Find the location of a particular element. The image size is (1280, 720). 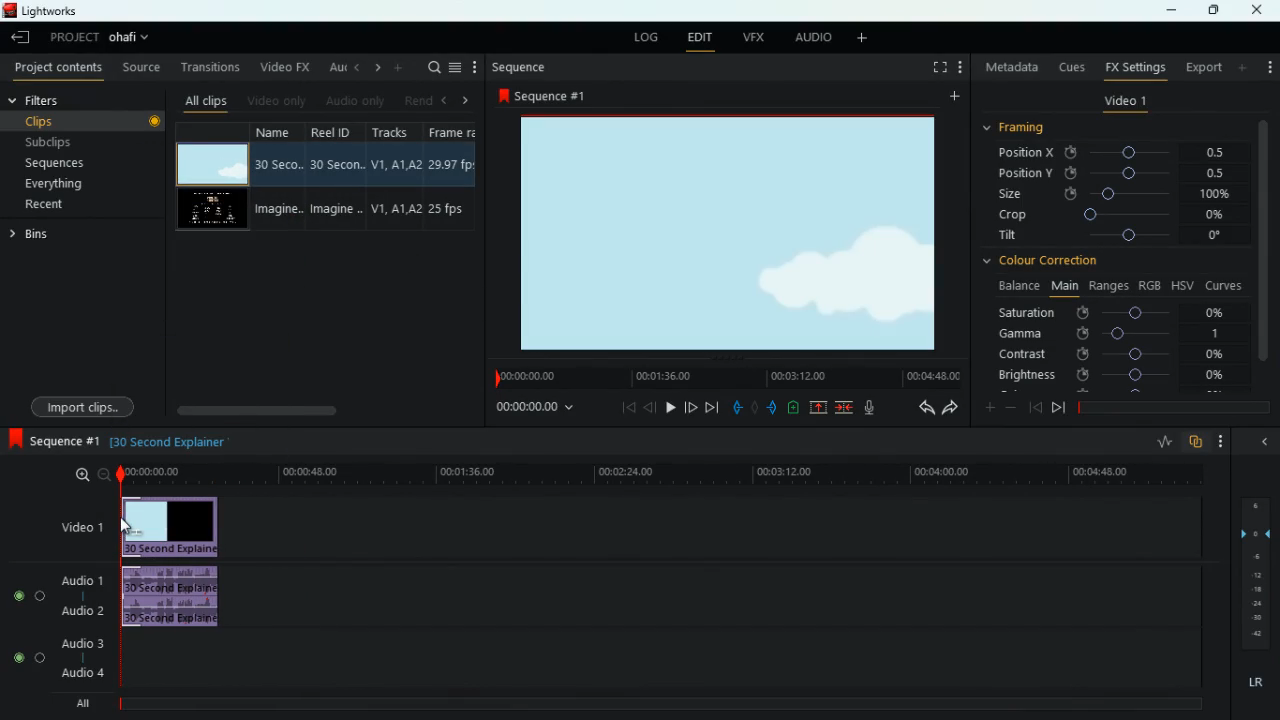

sequence is located at coordinates (522, 68).